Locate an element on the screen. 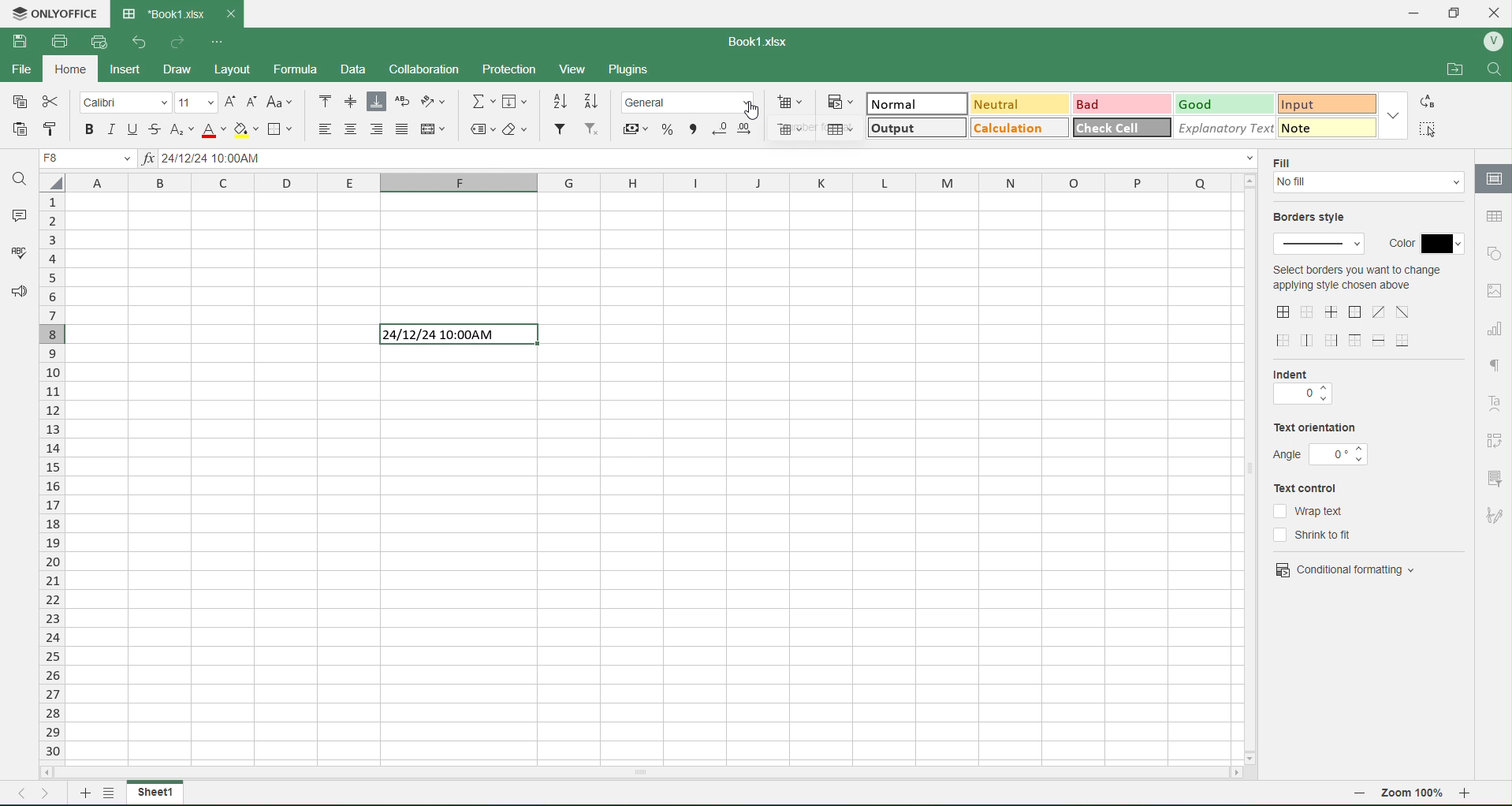 The image size is (1512, 806). zoom in is located at coordinates (1473, 797).